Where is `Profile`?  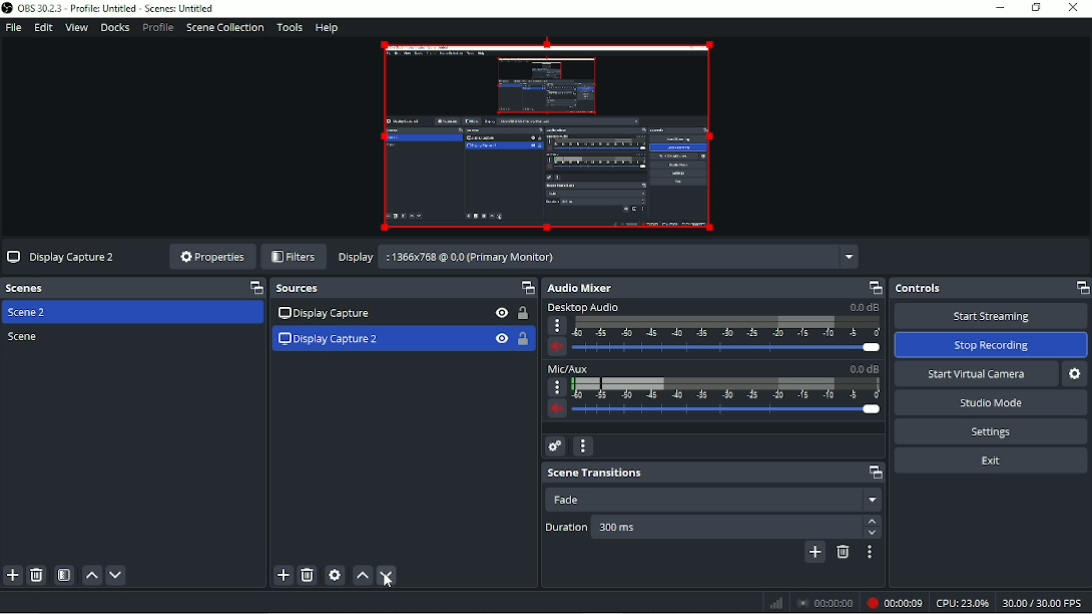
Profile is located at coordinates (157, 28).